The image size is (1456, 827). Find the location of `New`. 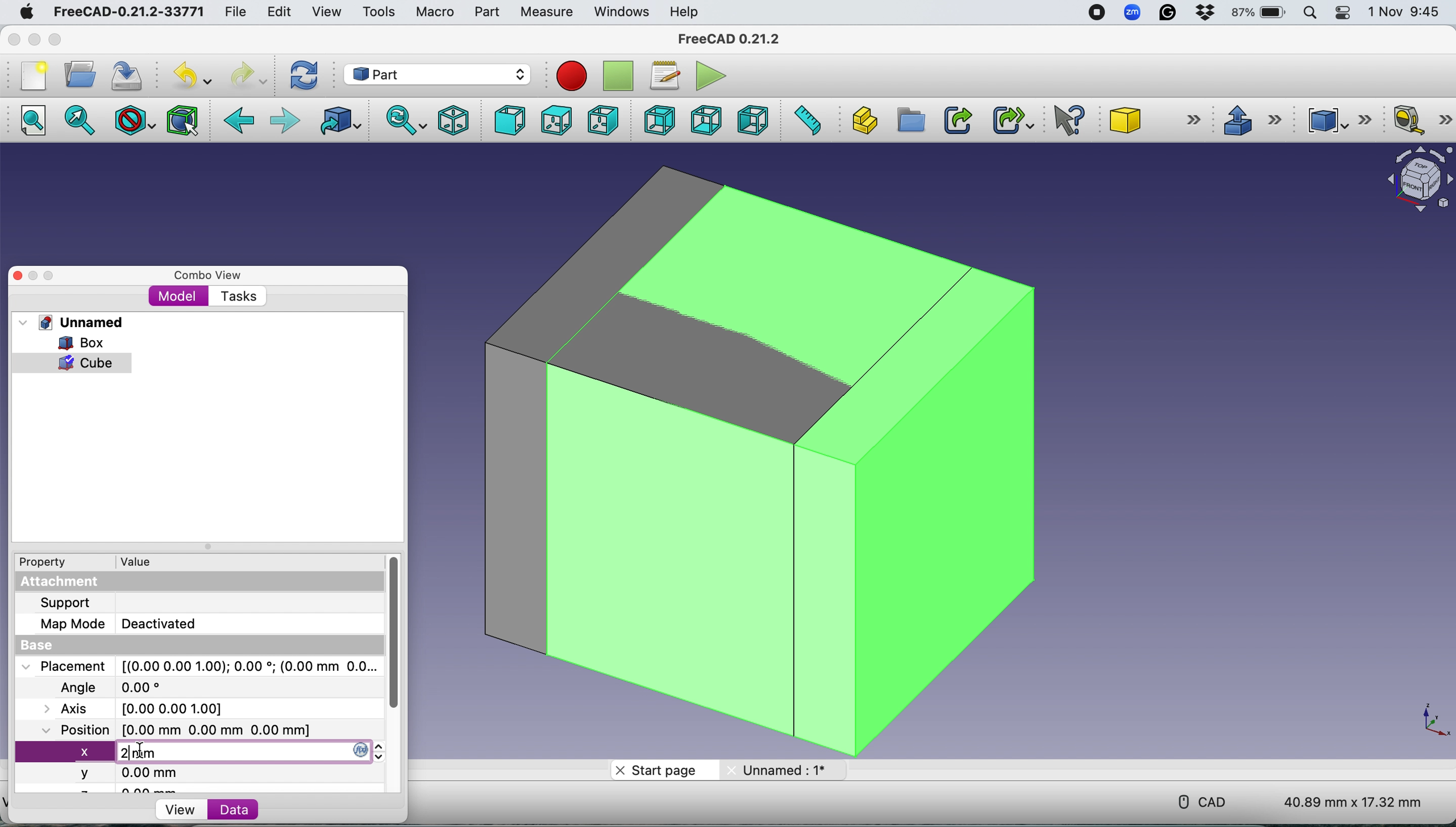

New is located at coordinates (32, 76).